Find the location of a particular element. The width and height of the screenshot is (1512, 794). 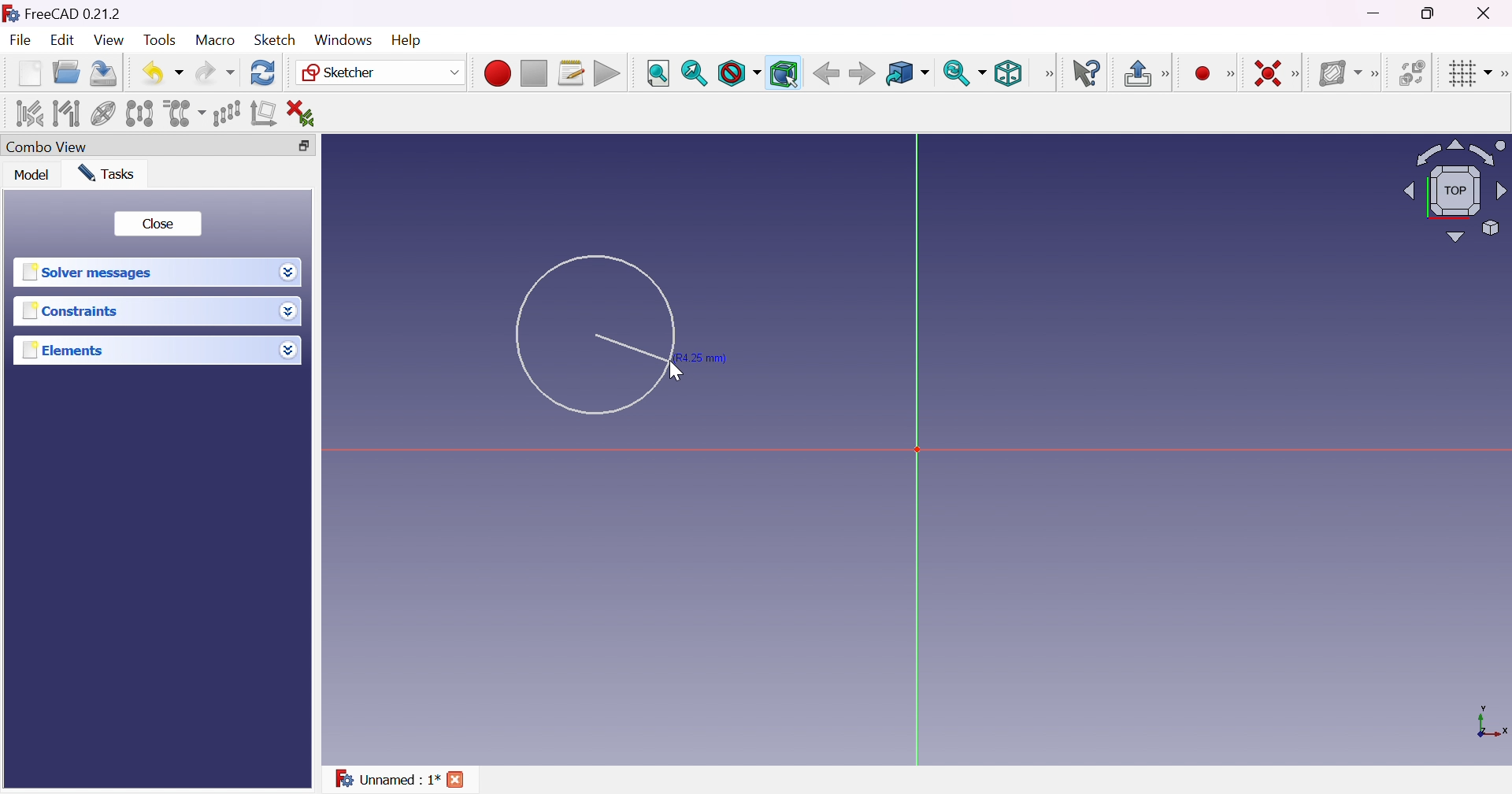

FreeCAD 0.21.2 is located at coordinates (74, 13).